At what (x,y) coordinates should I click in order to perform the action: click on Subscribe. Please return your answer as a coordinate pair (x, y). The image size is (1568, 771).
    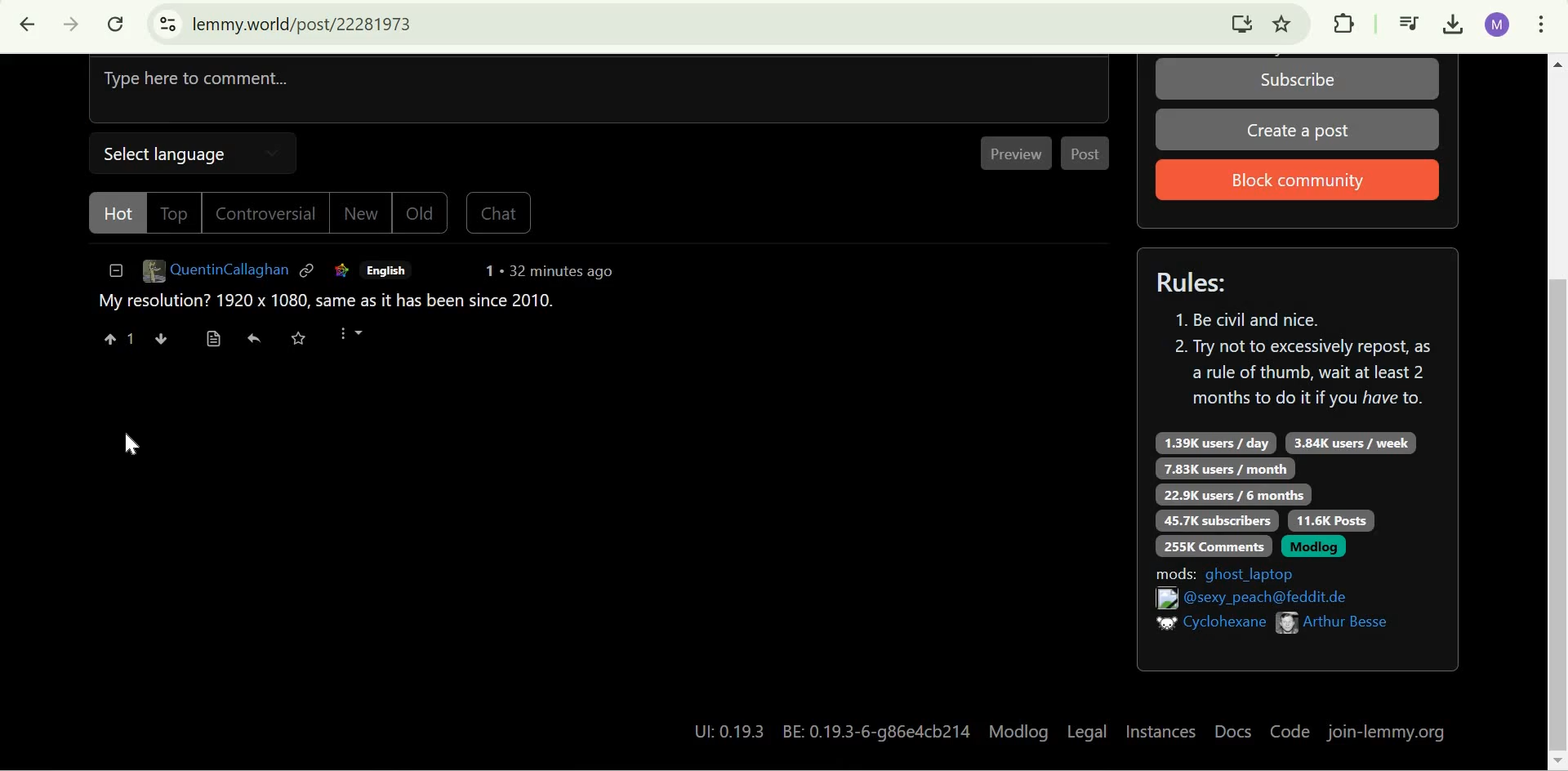
    Looking at the image, I should click on (1301, 78).